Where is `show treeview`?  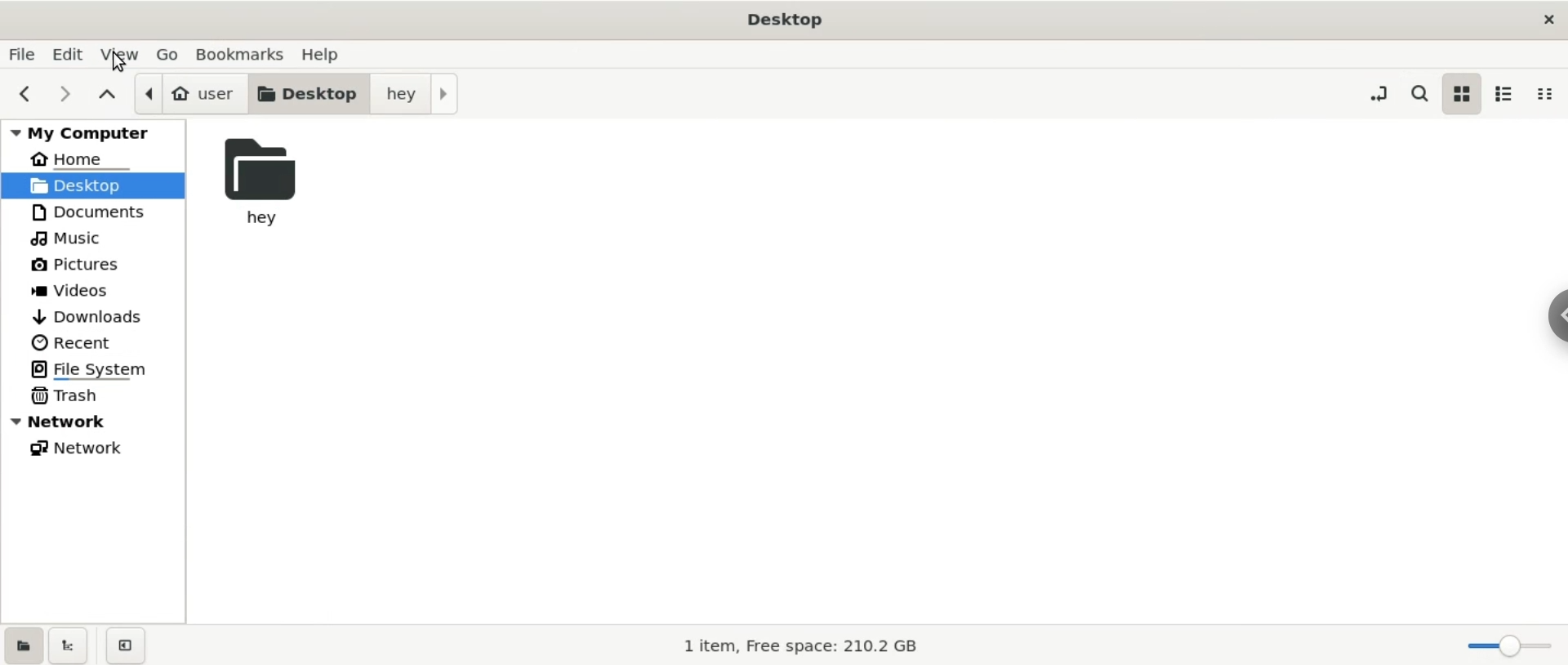 show treeview is located at coordinates (67, 644).